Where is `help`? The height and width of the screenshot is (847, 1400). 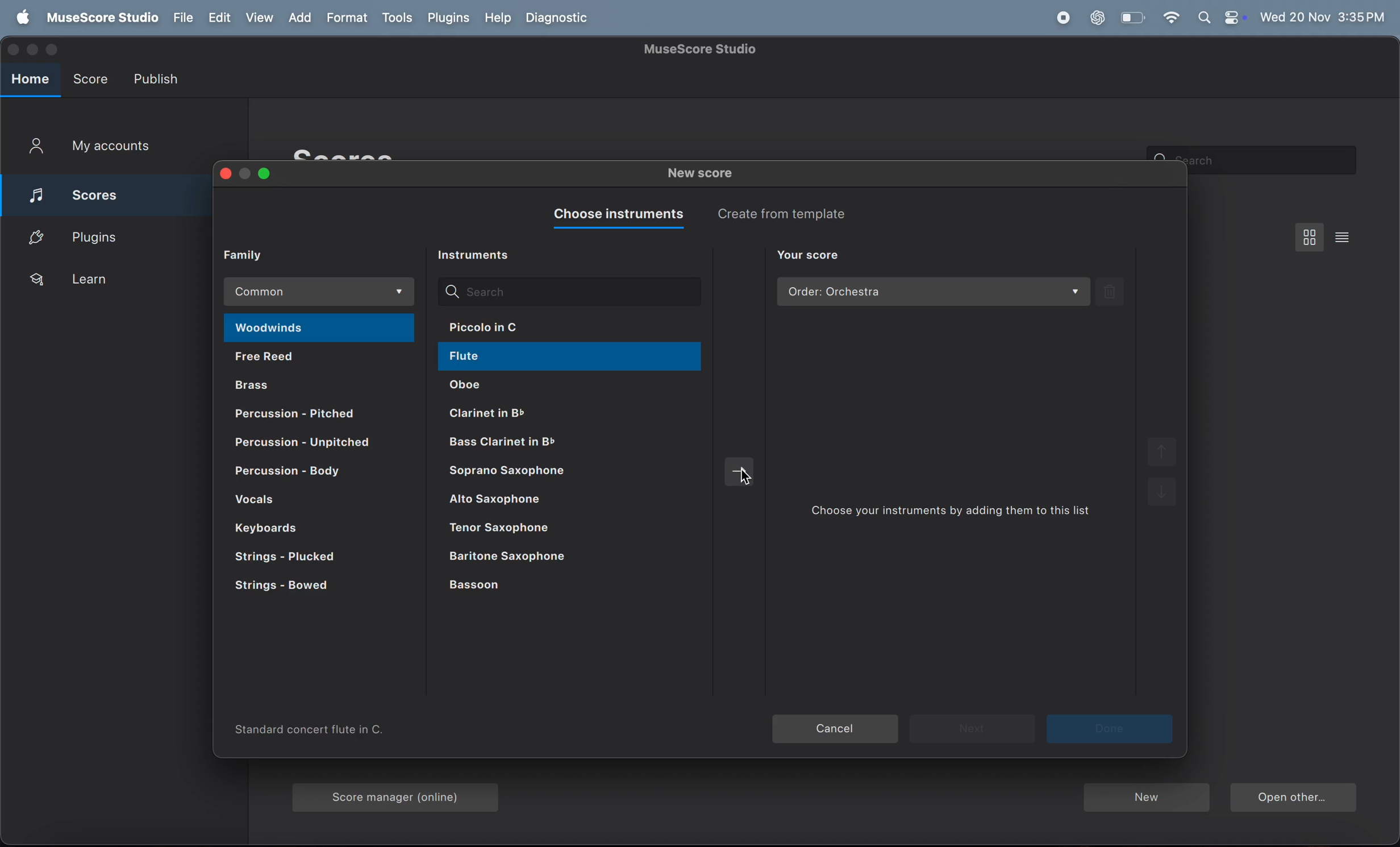
help is located at coordinates (495, 18).